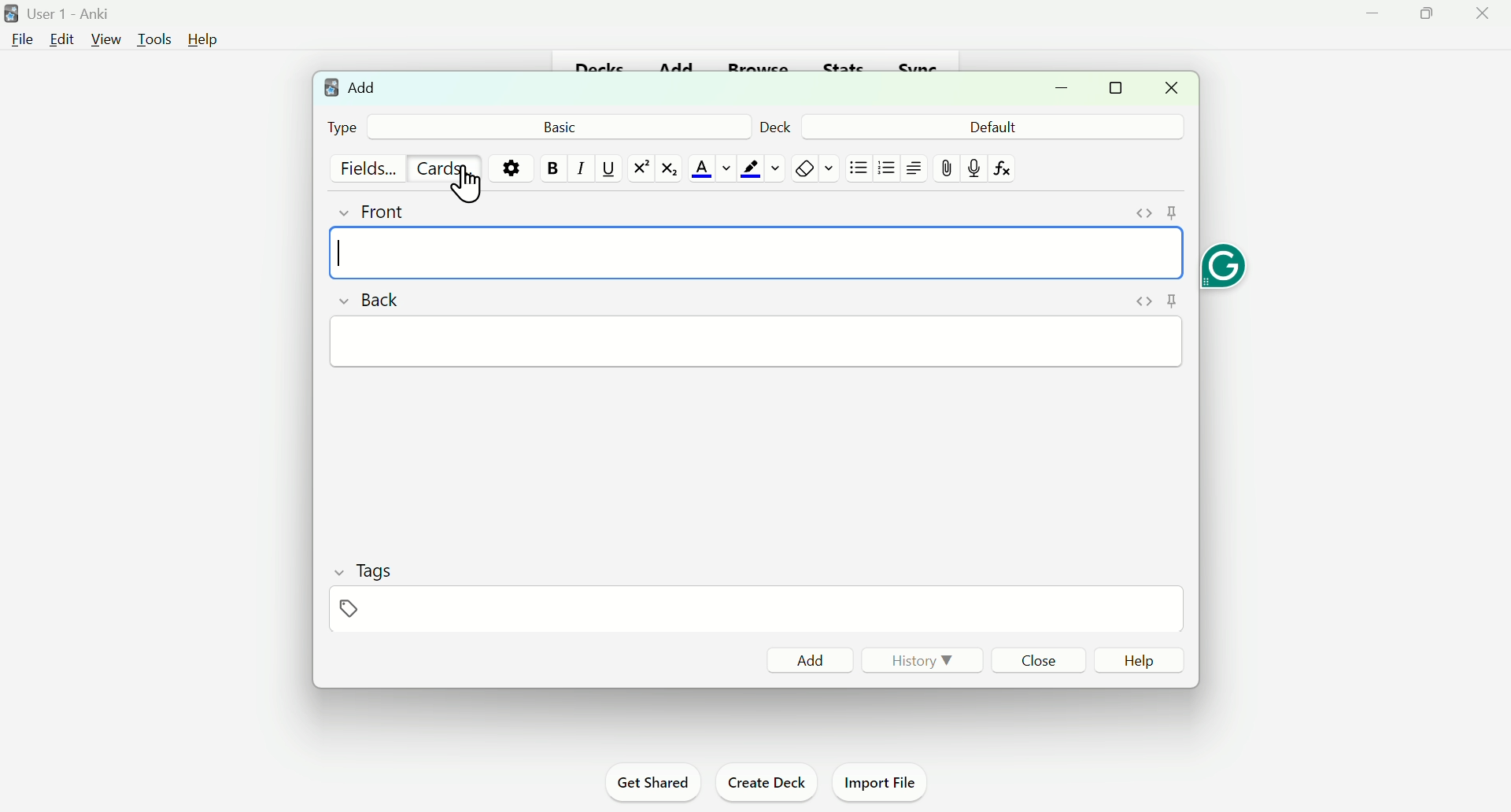 This screenshot has height=812, width=1511. Describe the element at coordinates (1144, 214) in the screenshot. I see `toggle` at that location.